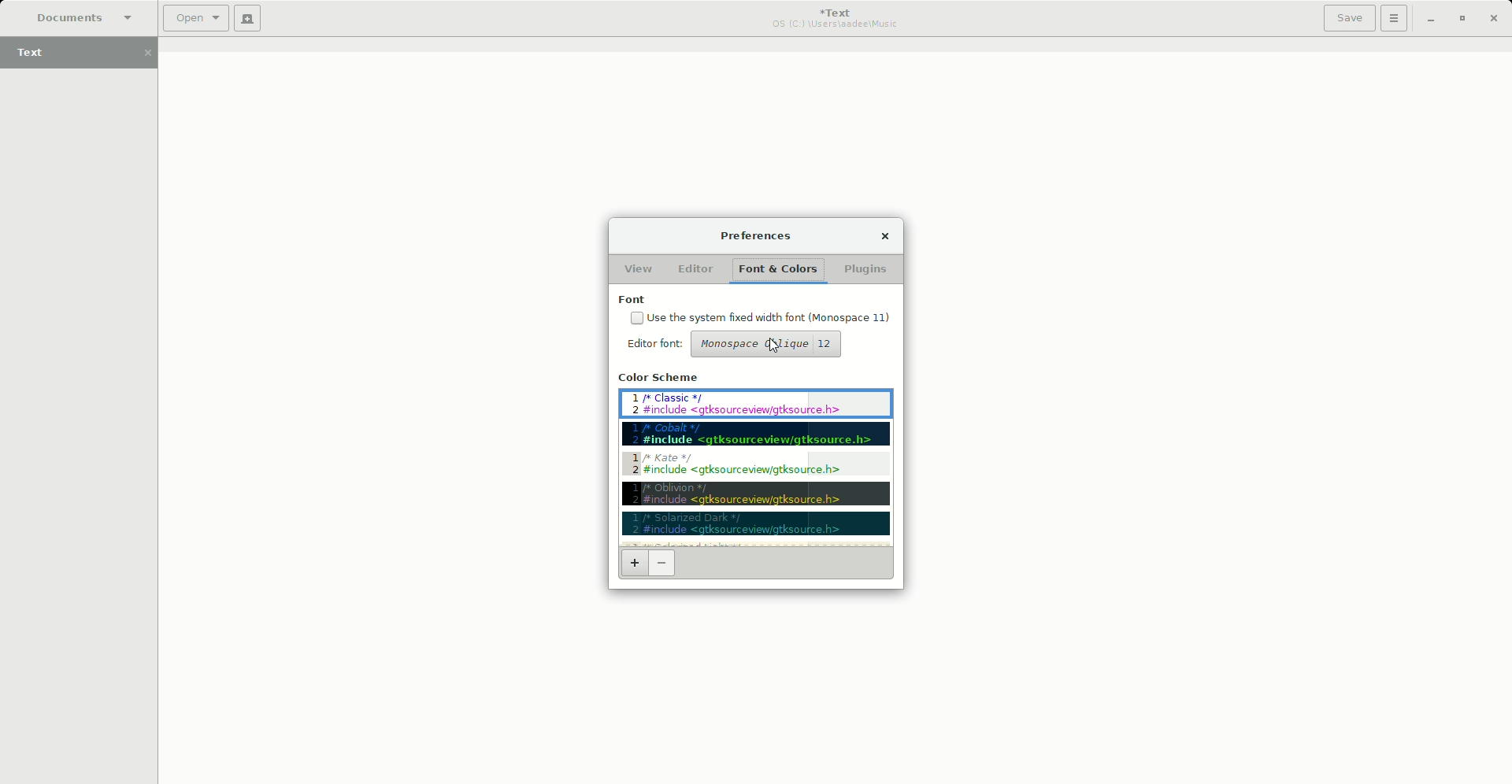 Image resolution: width=1512 pixels, height=784 pixels. Describe the element at coordinates (870, 268) in the screenshot. I see `Plugins` at that location.